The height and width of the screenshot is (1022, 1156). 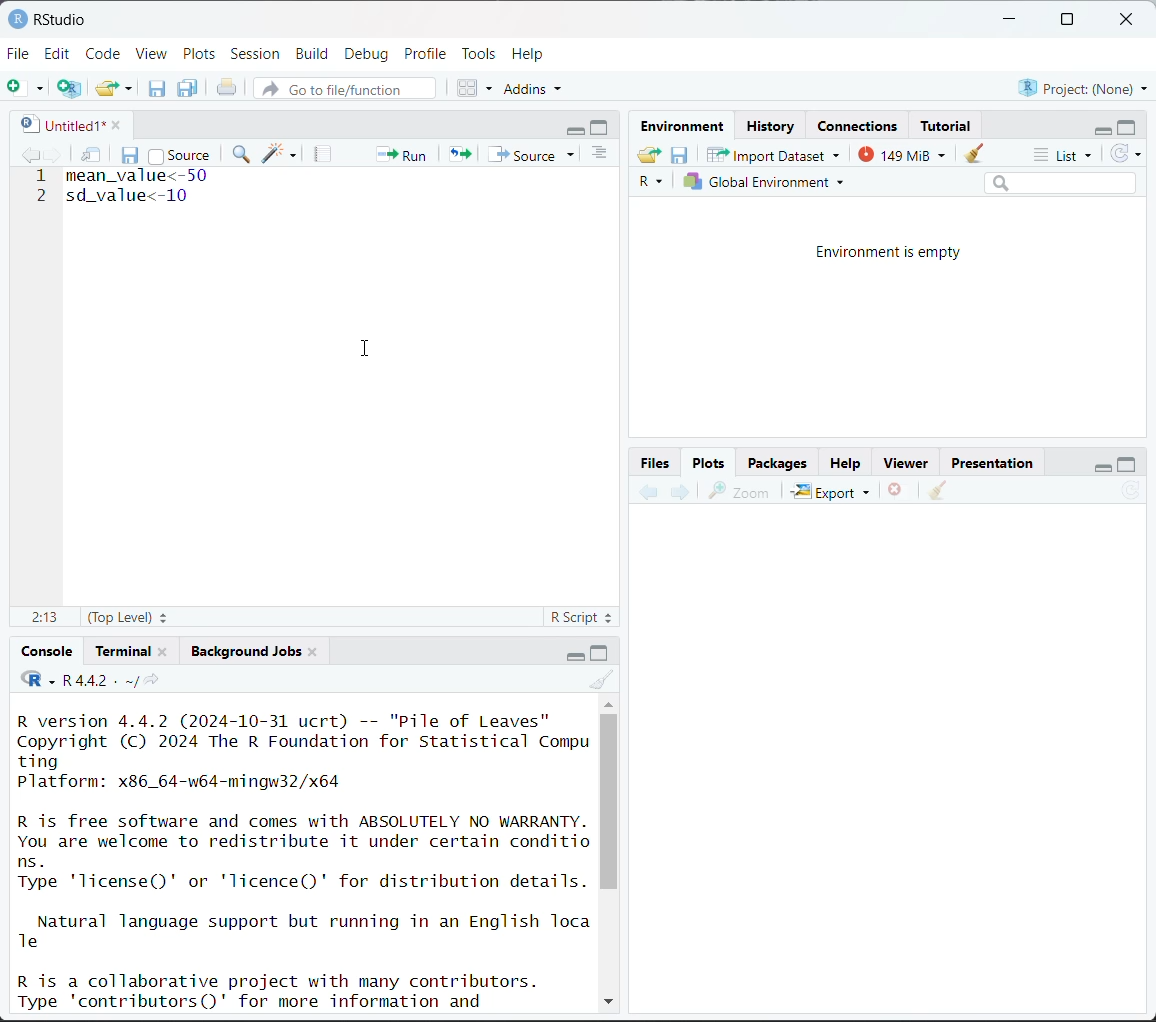 What do you see at coordinates (969, 150) in the screenshot?
I see `clear objects from workspace` at bounding box center [969, 150].